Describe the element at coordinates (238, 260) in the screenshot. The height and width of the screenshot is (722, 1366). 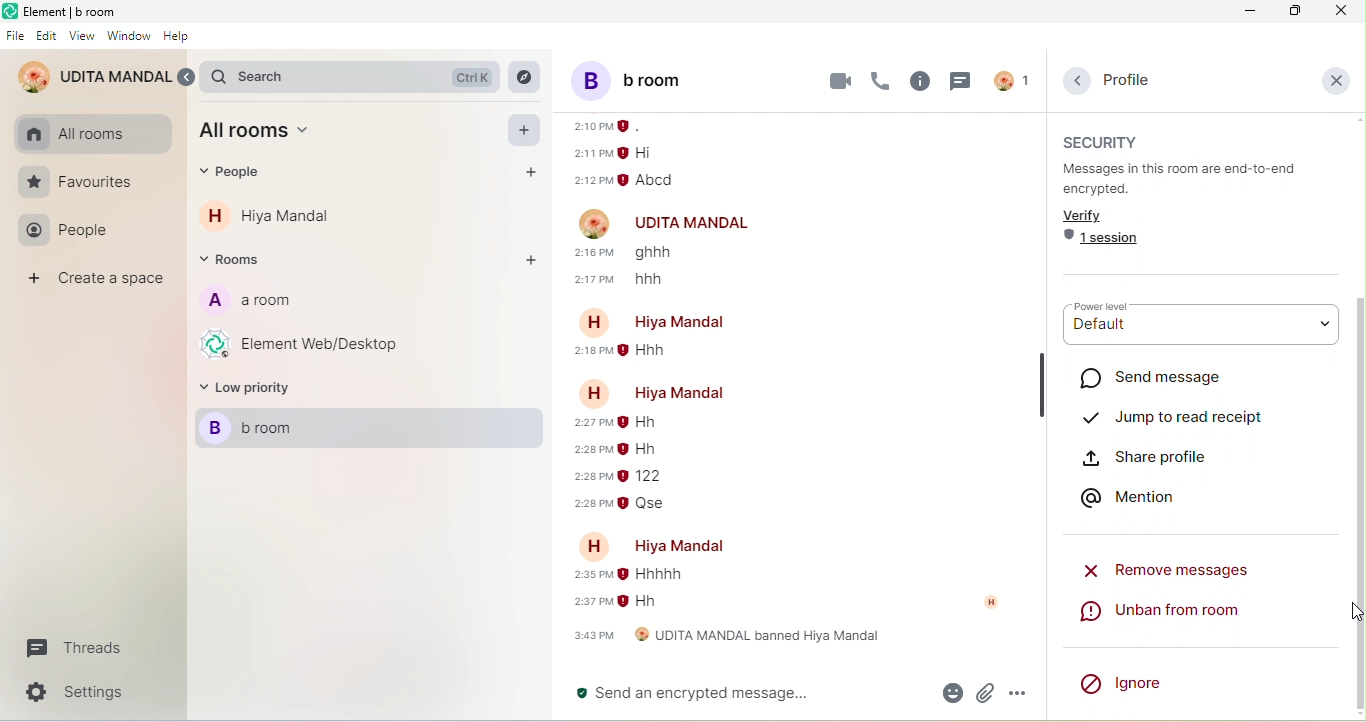
I see `rooms` at that location.